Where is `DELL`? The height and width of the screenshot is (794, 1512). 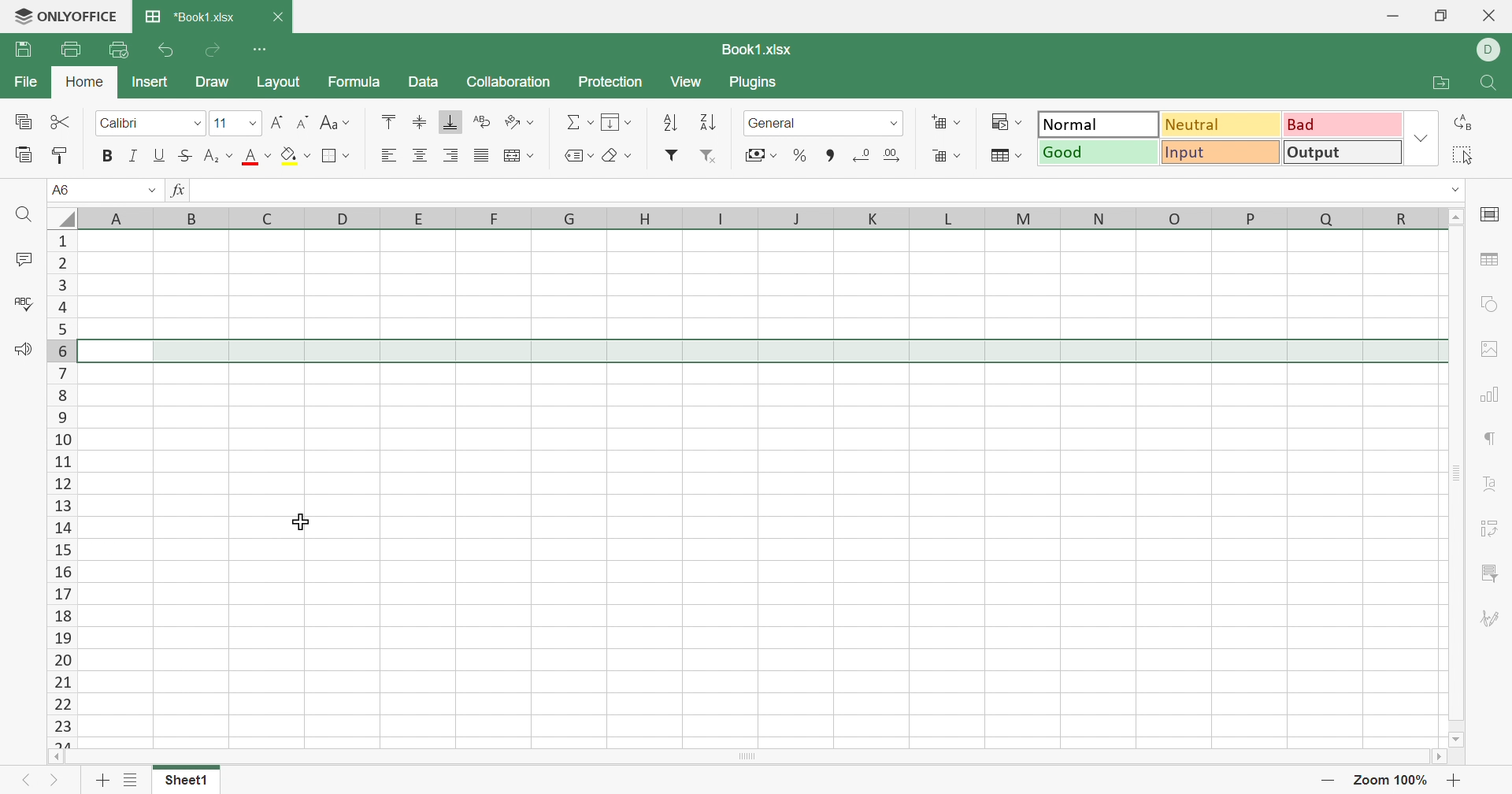
DELL is located at coordinates (1492, 50).